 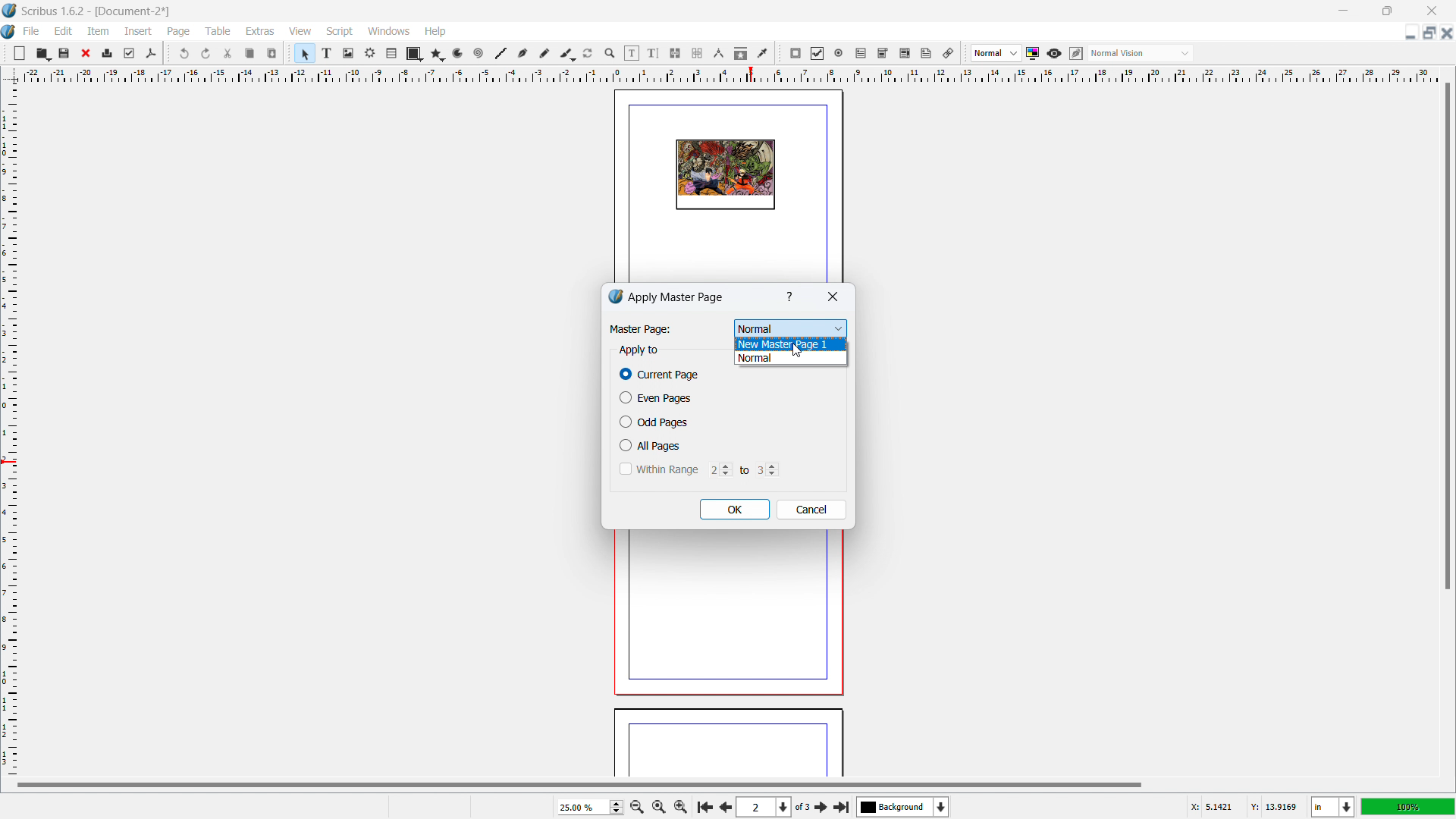 I want to click on page, so click(x=728, y=745).